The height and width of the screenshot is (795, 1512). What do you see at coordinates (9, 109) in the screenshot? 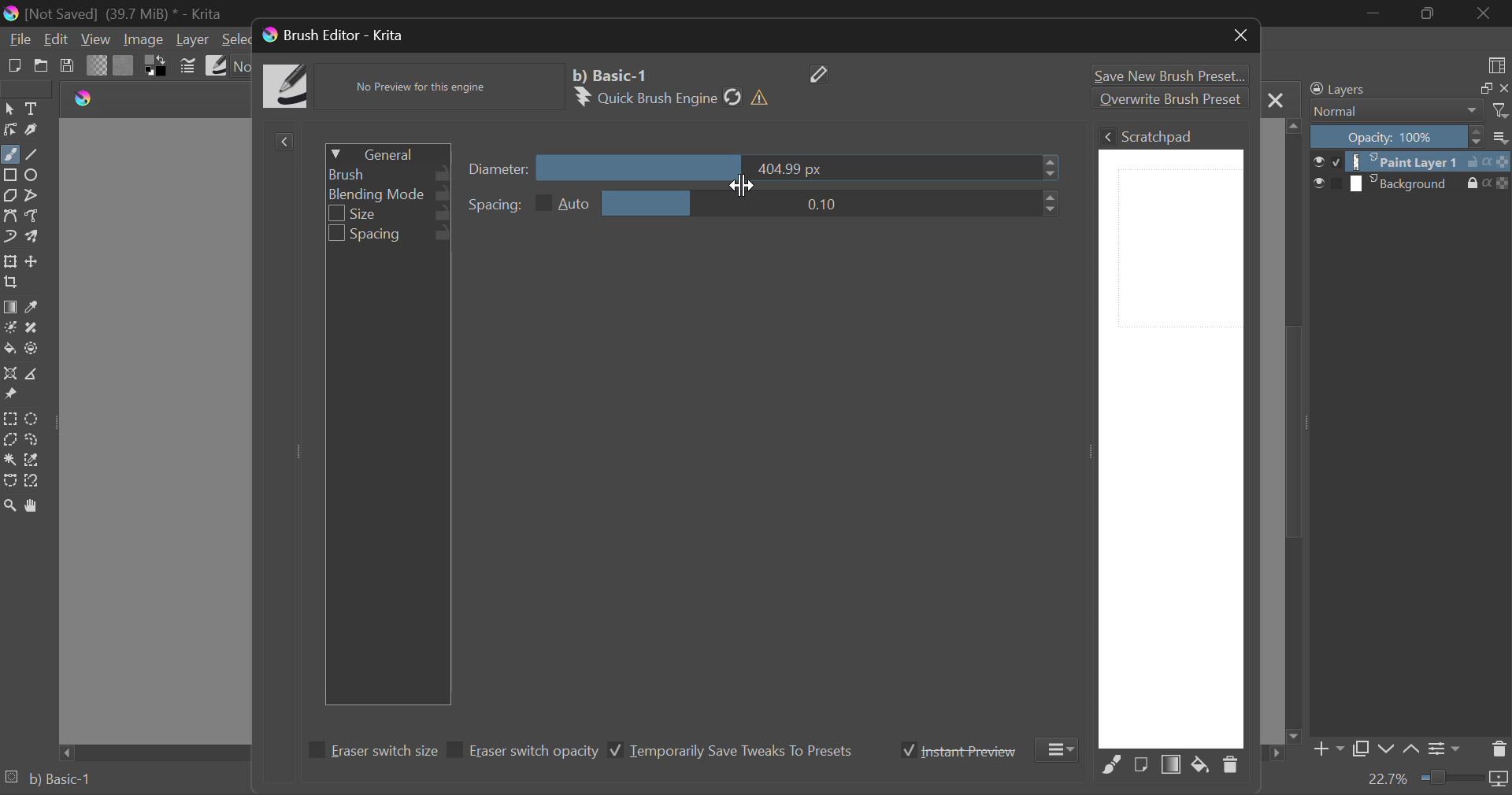
I see `Select` at bounding box center [9, 109].